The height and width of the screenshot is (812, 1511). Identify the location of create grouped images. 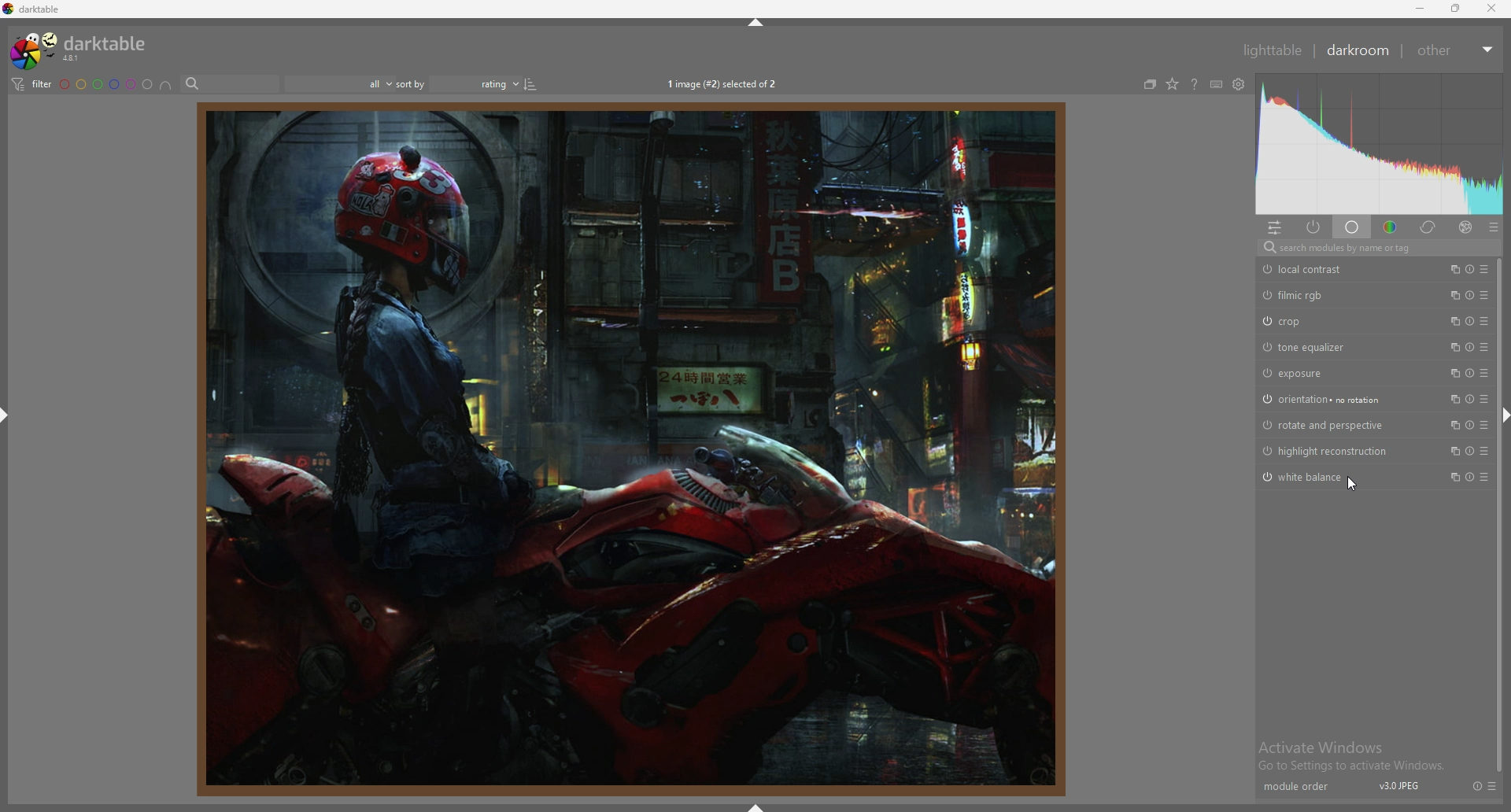
(1150, 85).